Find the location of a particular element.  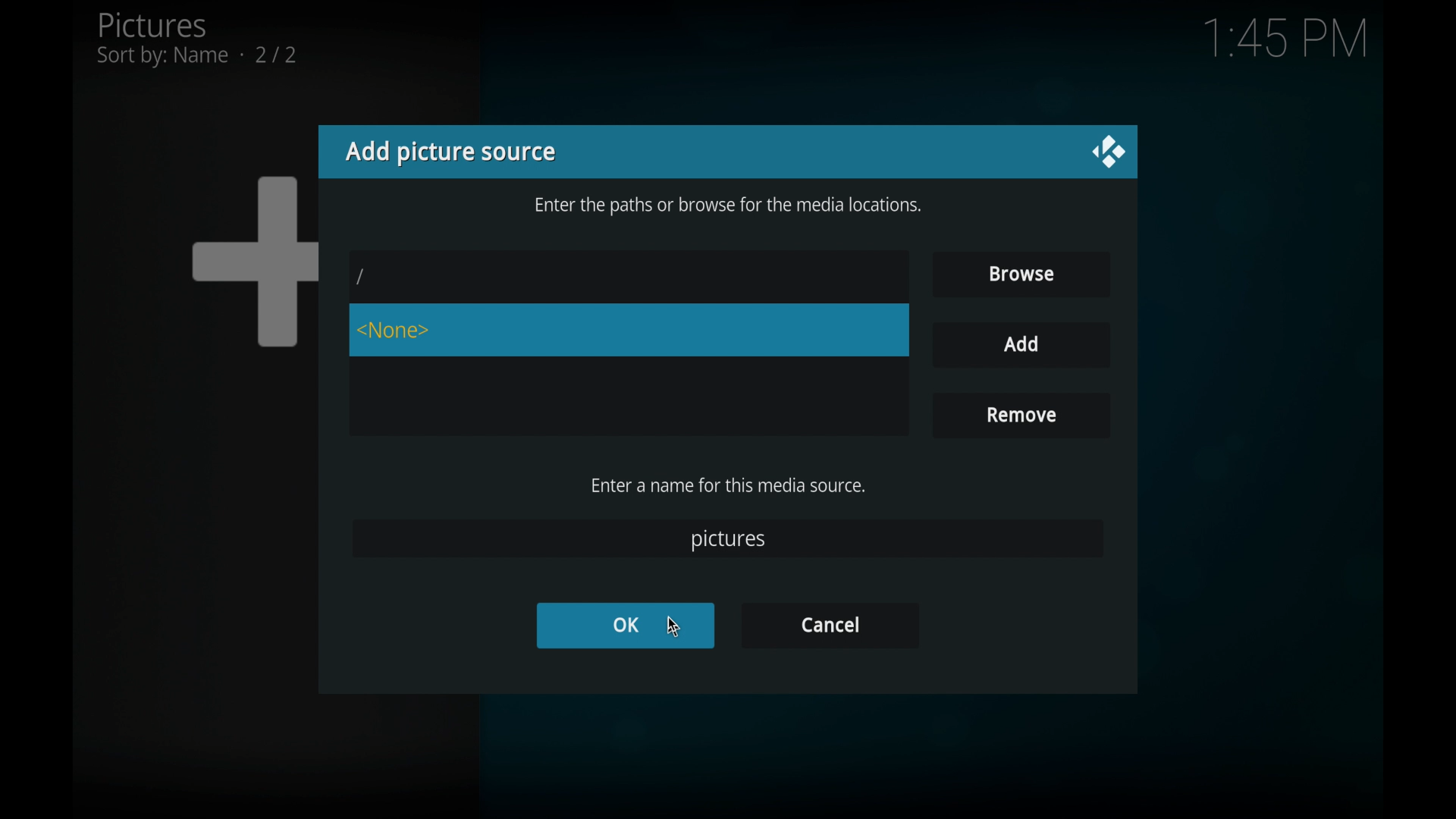

remove is located at coordinates (1018, 416).